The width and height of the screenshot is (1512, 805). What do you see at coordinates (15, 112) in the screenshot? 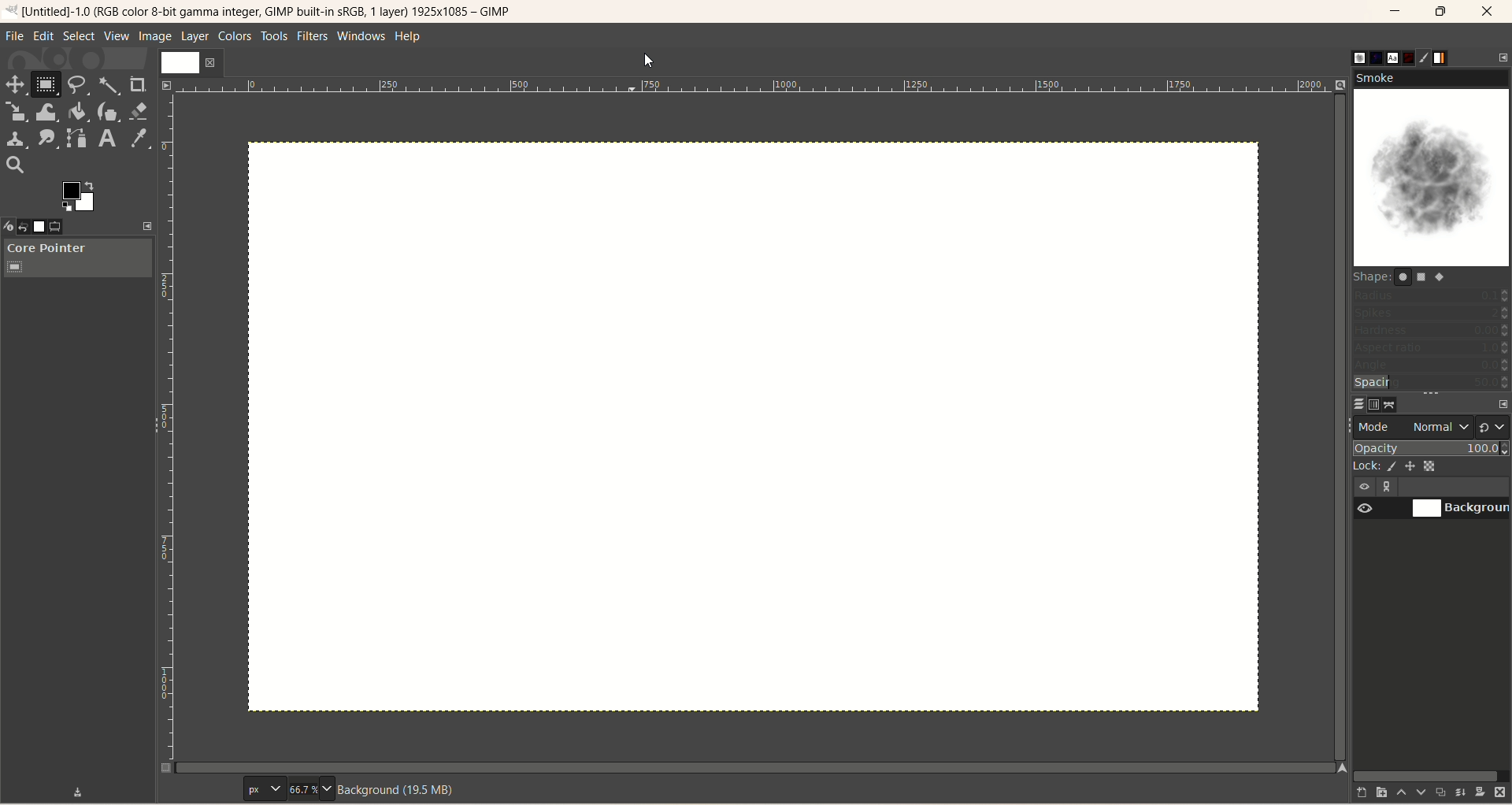
I see `scale` at bounding box center [15, 112].